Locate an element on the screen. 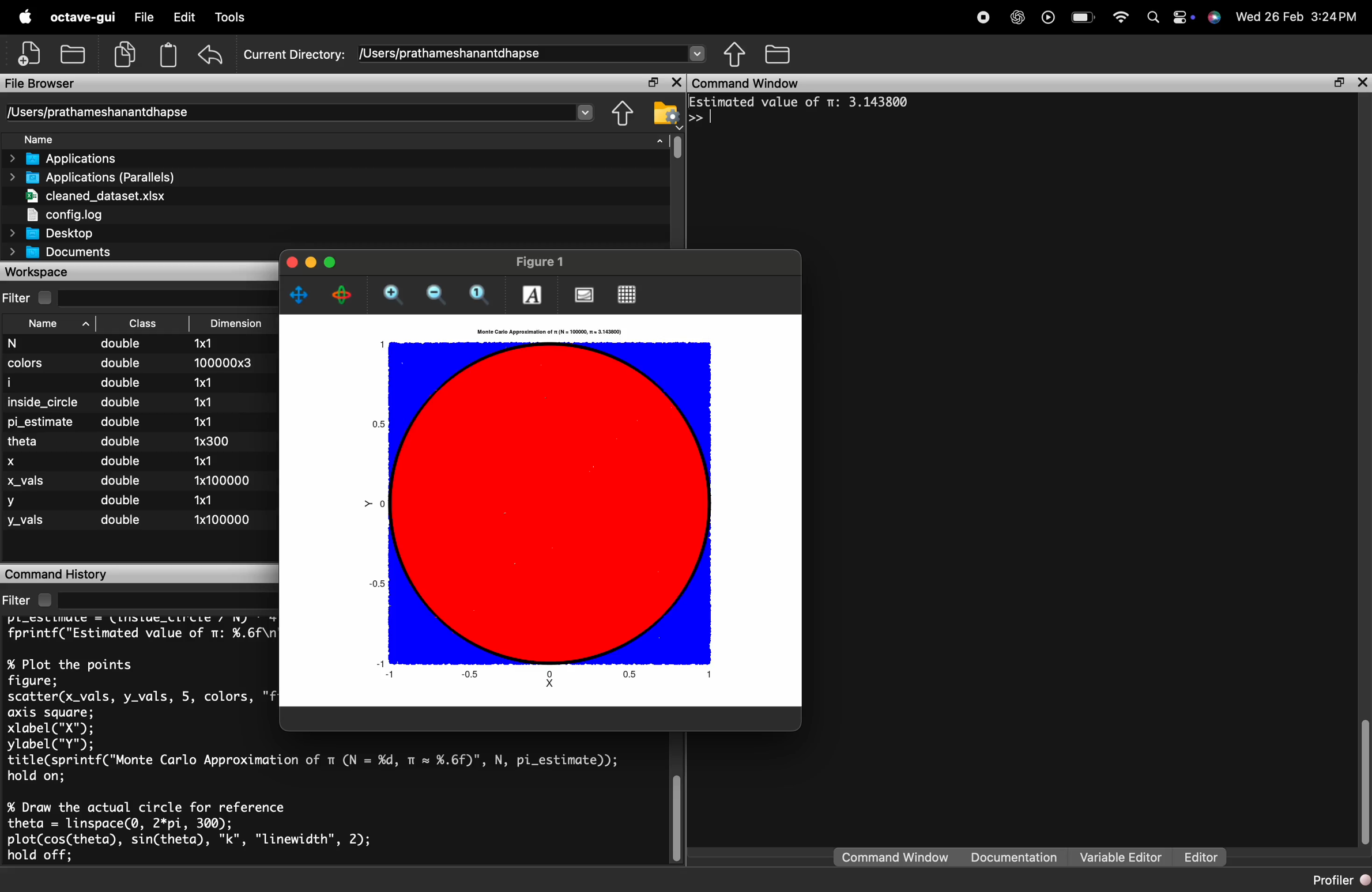 The width and height of the screenshot is (1372, 892). Users/prathameshanantdhapse is located at coordinates (302, 111).